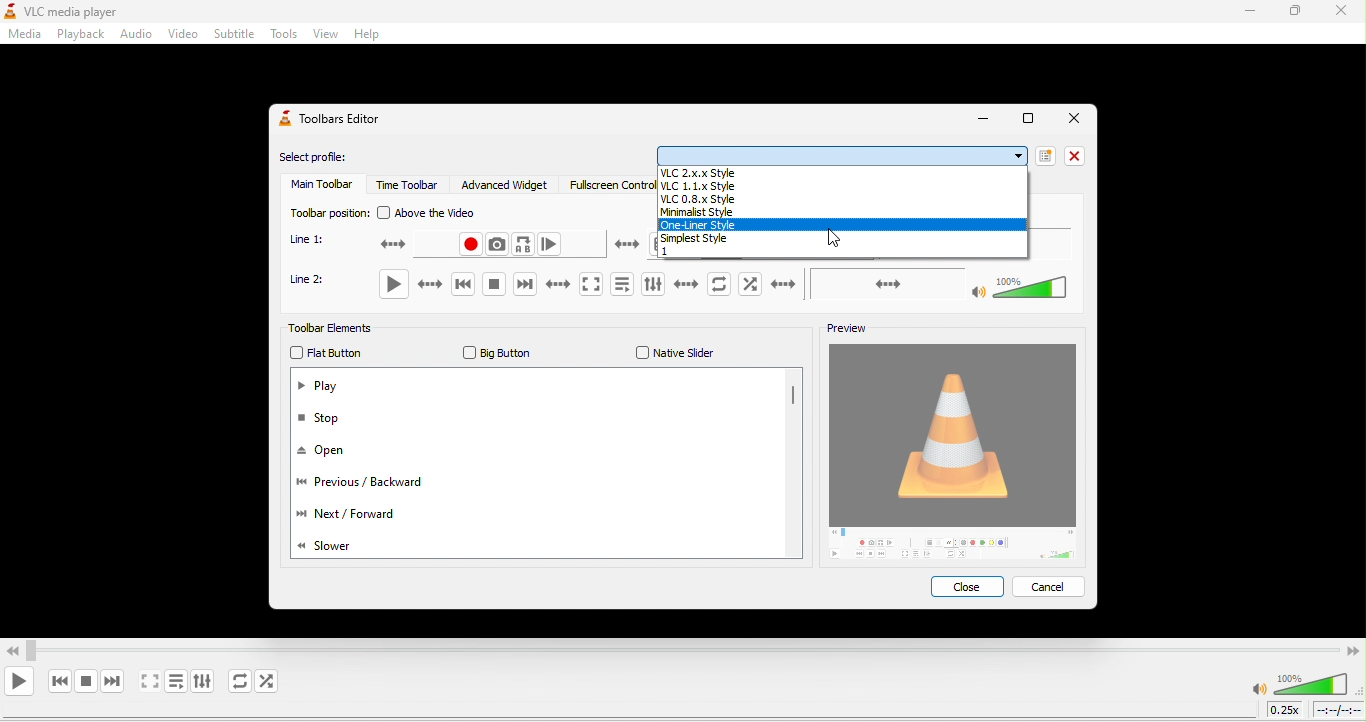  What do you see at coordinates (328, 213) in the screenshot?
I see `toolbar position` at bounding box center [328, 213].